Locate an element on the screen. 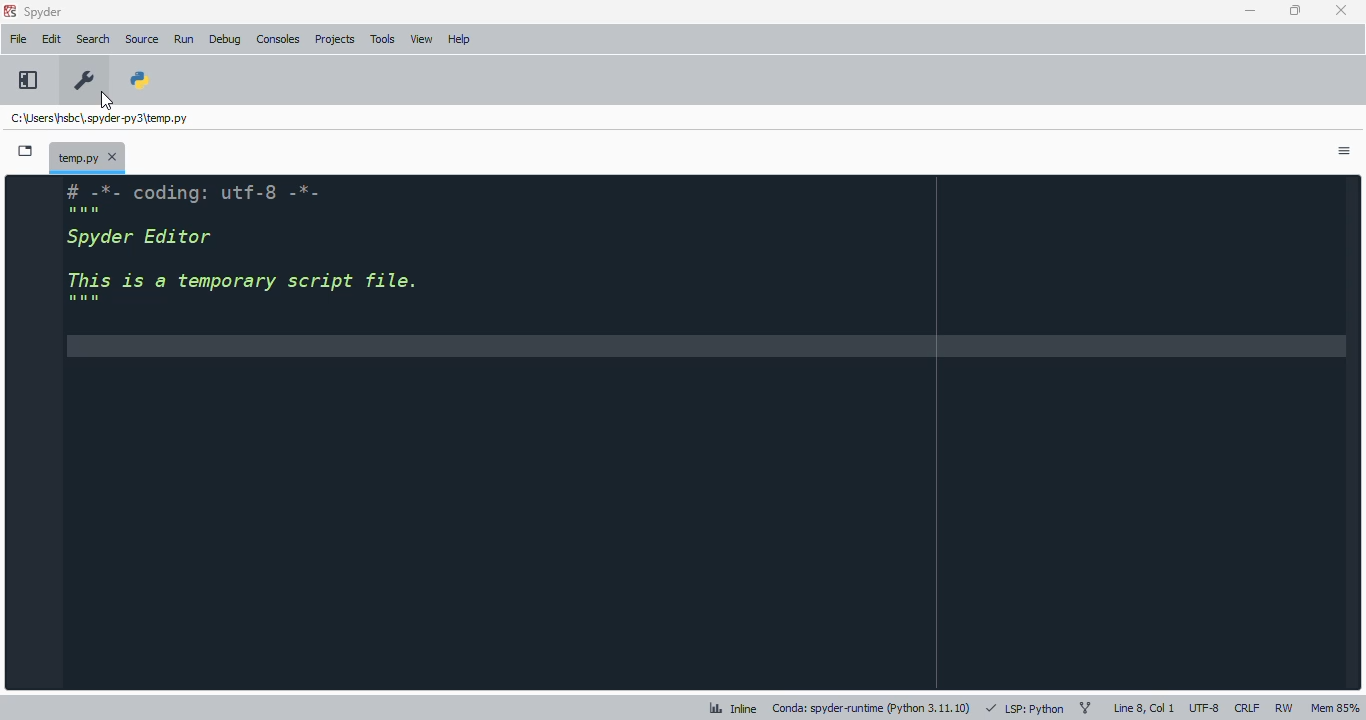 The height and width of the screenshot is (720, 1366). spyder is located at coordinates (43, 12).